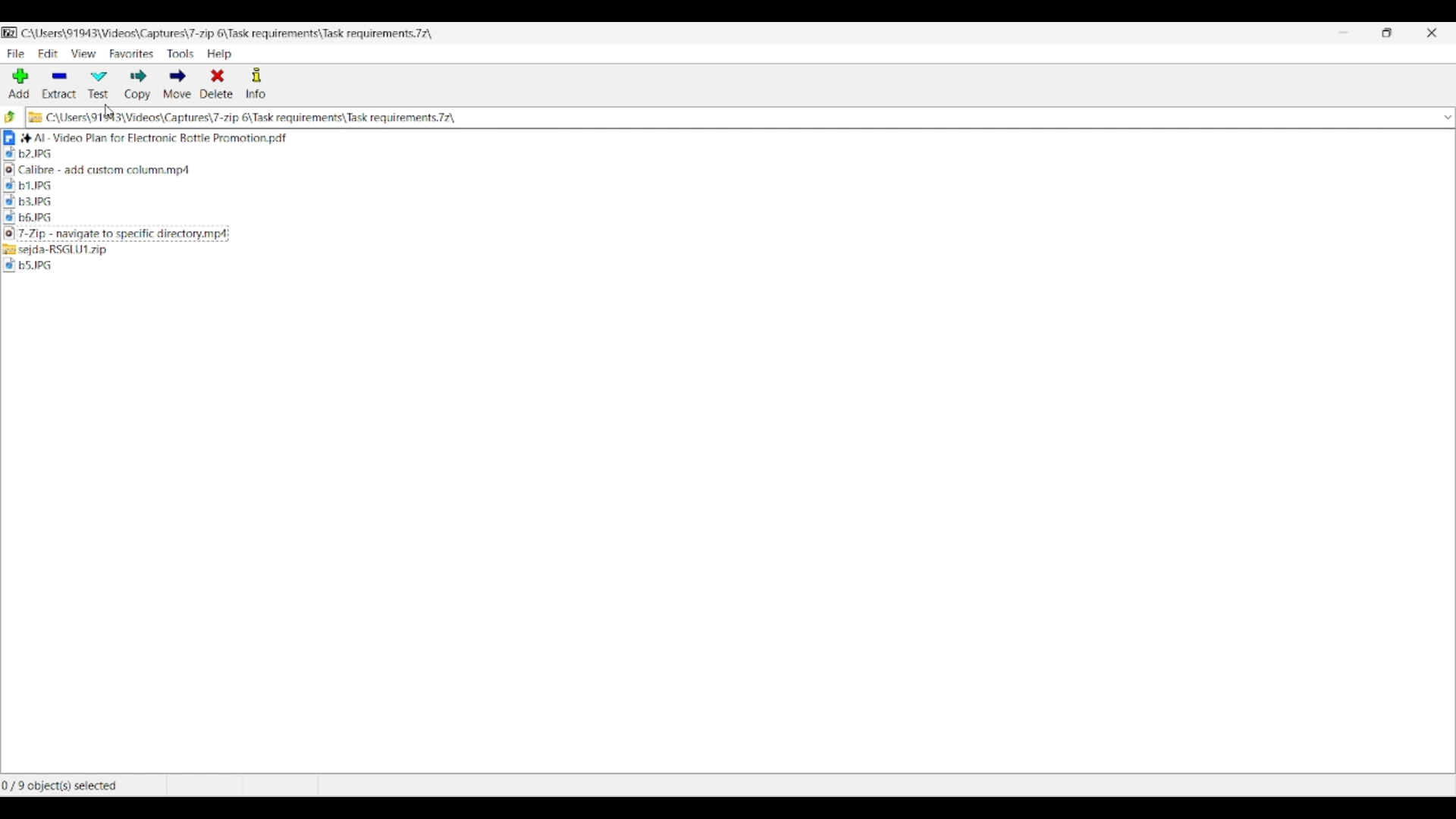 This screenshot has height=819, width=1456. What do you see at coordinates (413, 218) in the screenshot?
I see `file 6 and type` at bounding box center [413, 218].